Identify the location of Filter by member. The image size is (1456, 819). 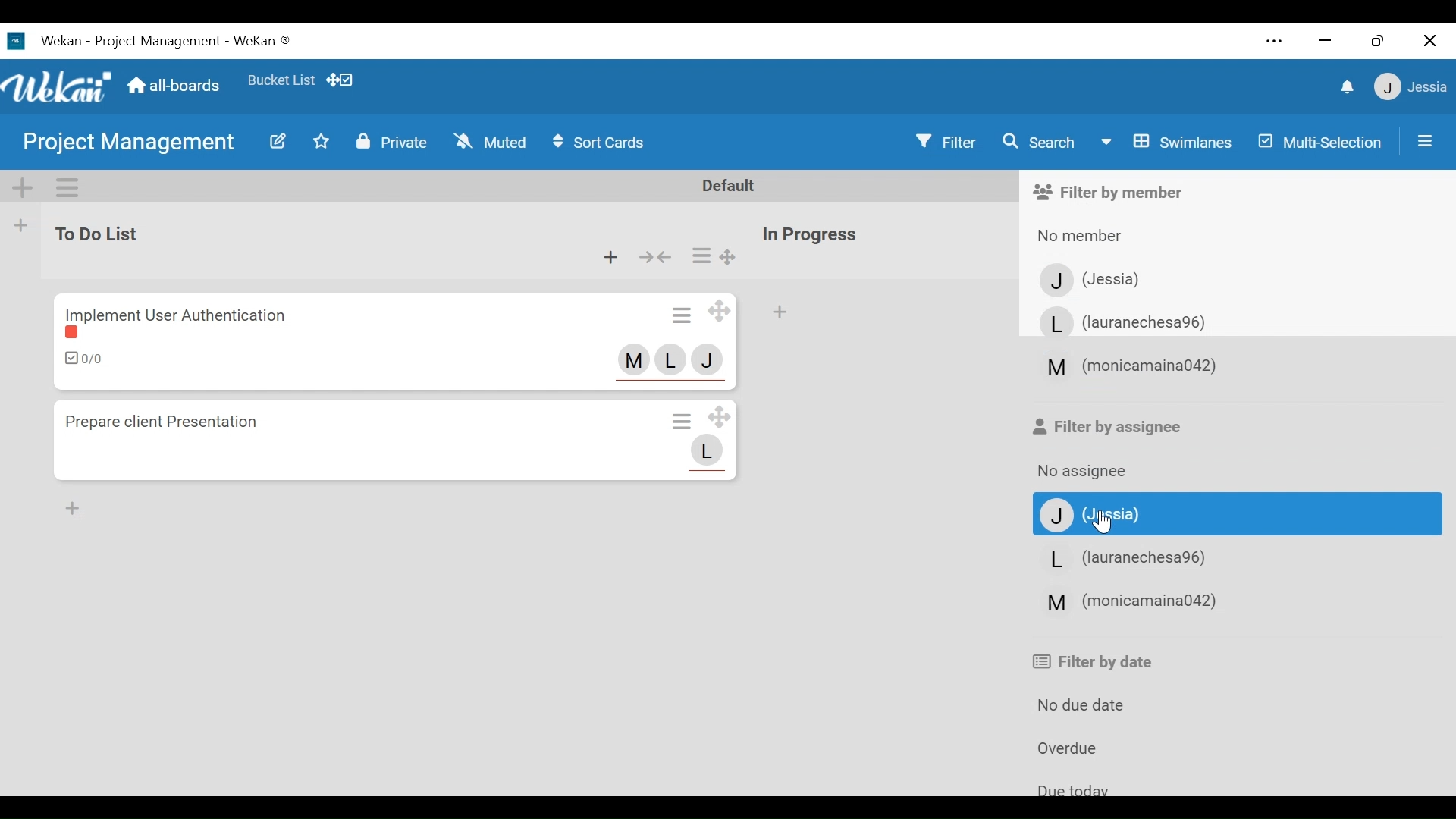
(1111, 193).